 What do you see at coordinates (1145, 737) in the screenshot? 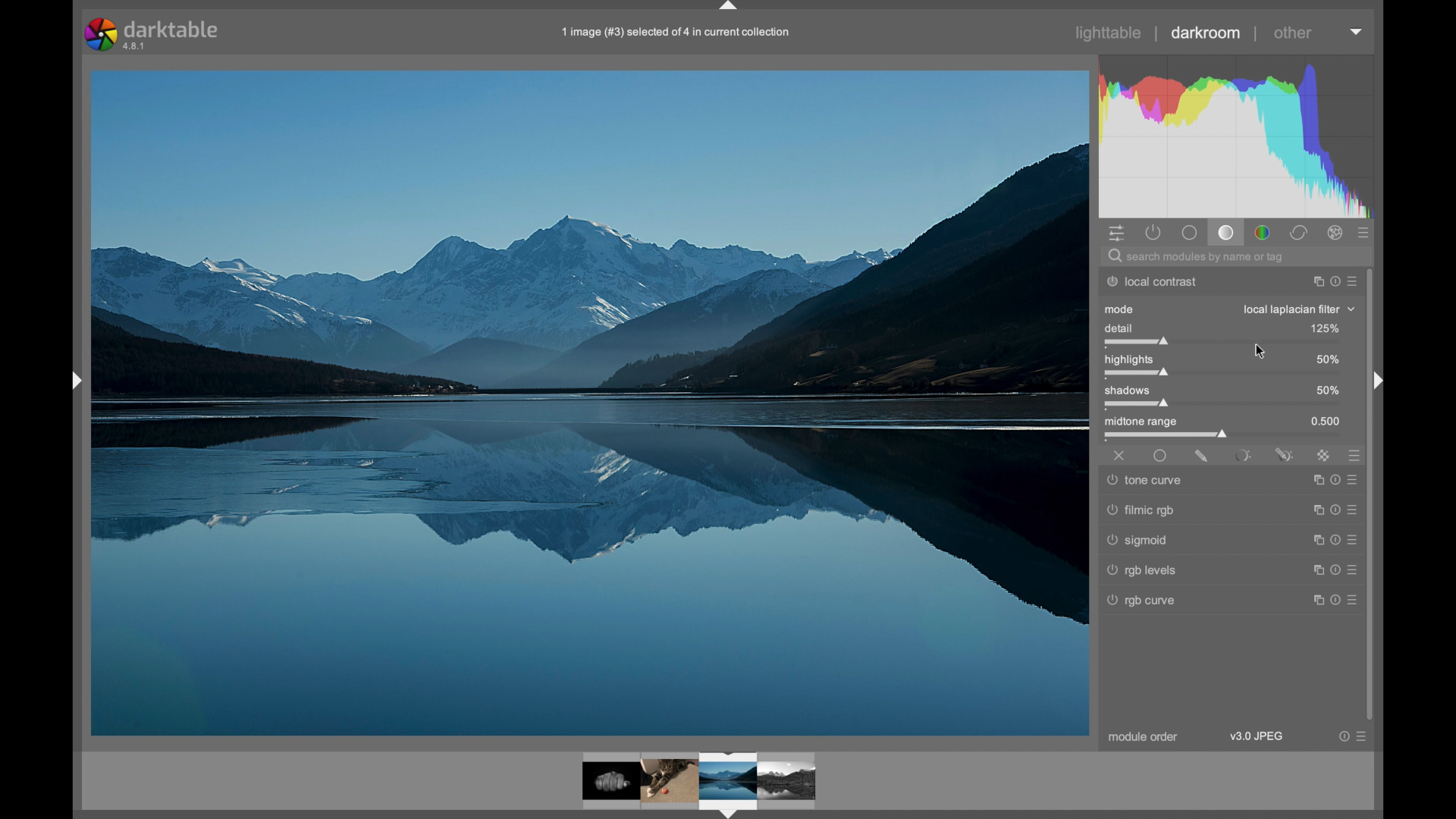
I see `module order` at bounding box center [1145, 737].